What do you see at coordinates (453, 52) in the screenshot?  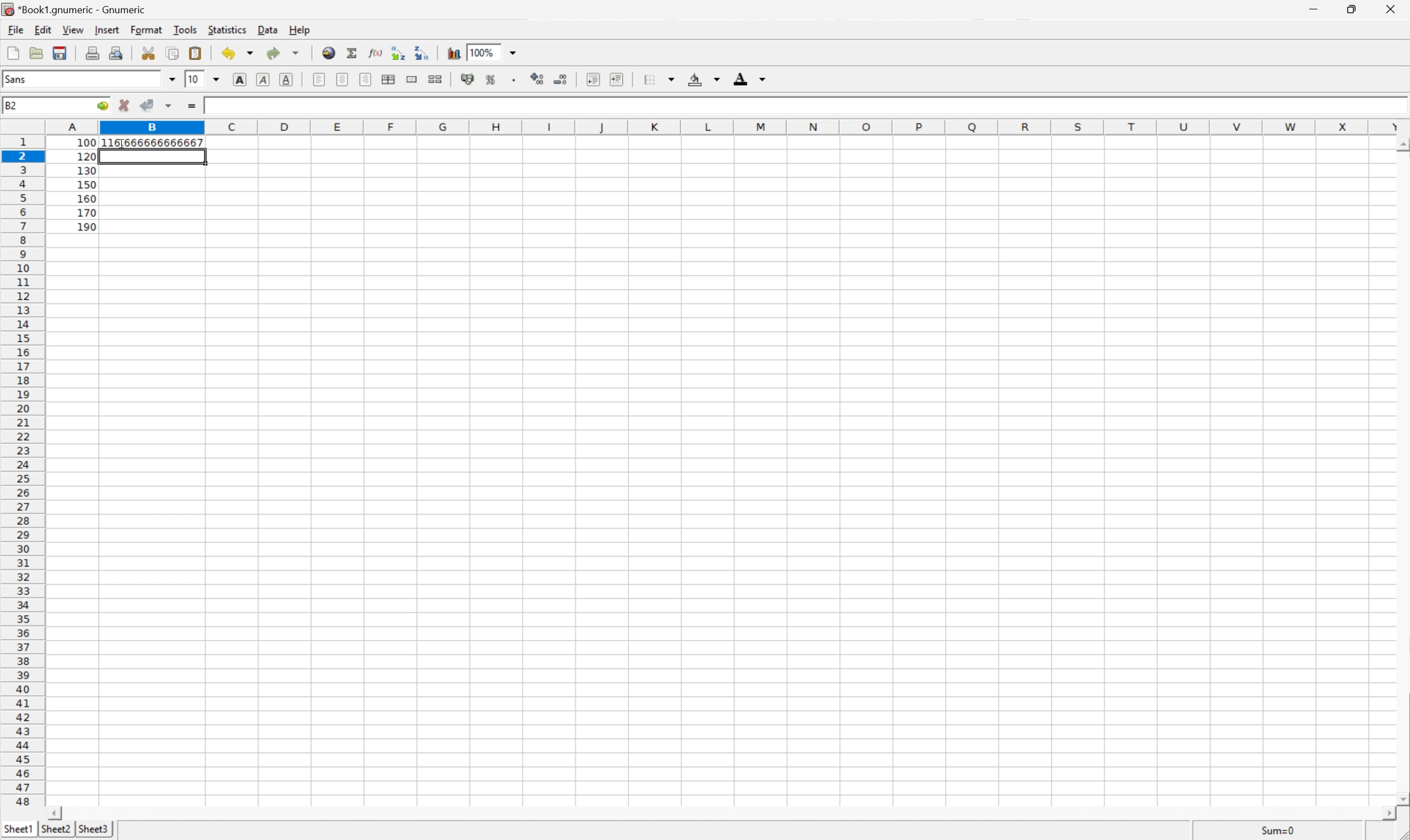 I see `Insert a chart` at bounding box center [453, 52].